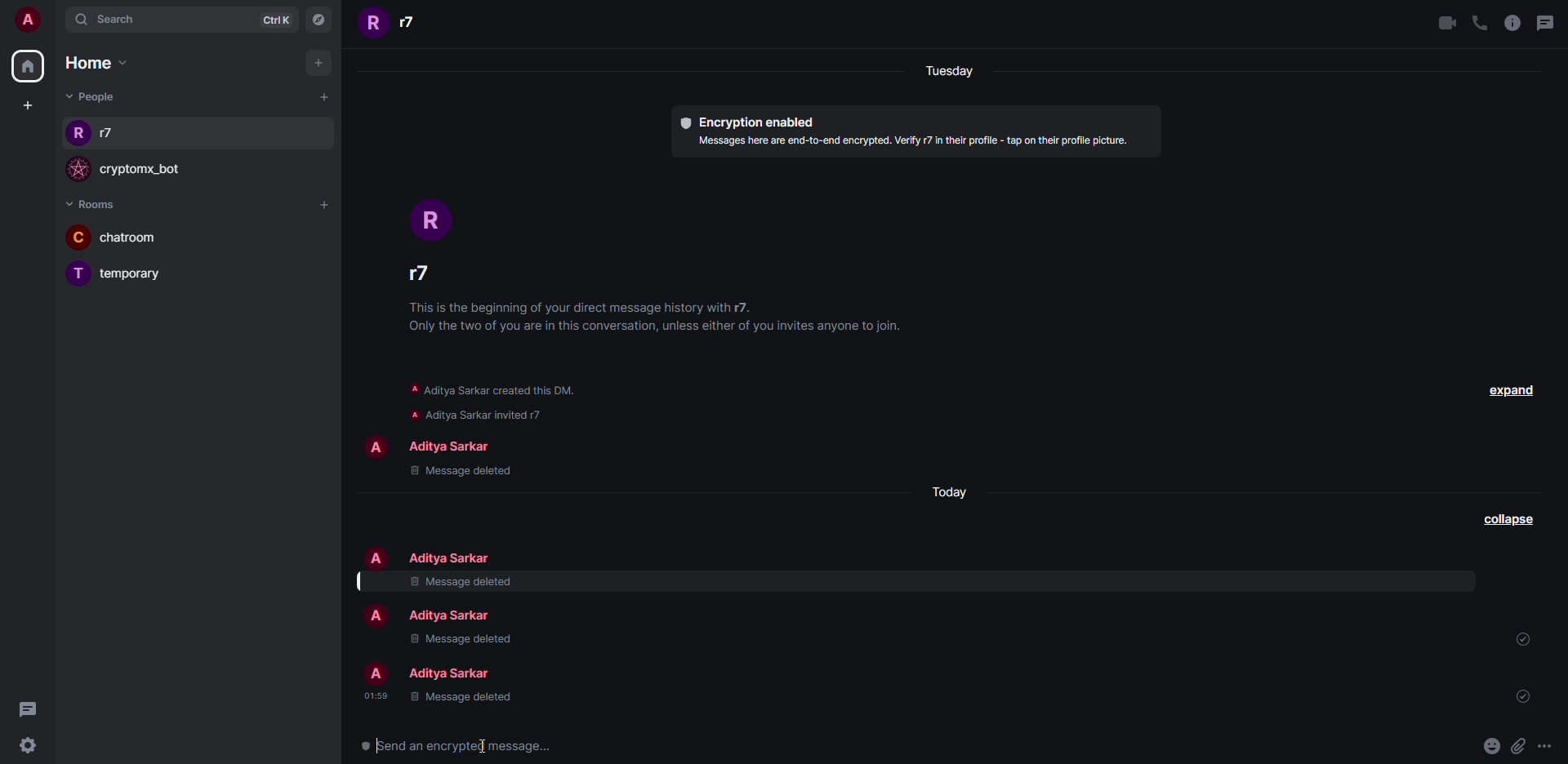 The width and height of the screenshot is (1568, 764). What do you see at coordinates (371, 444) in the screenshot?
I see `profile` at bounding box center [371, 444].